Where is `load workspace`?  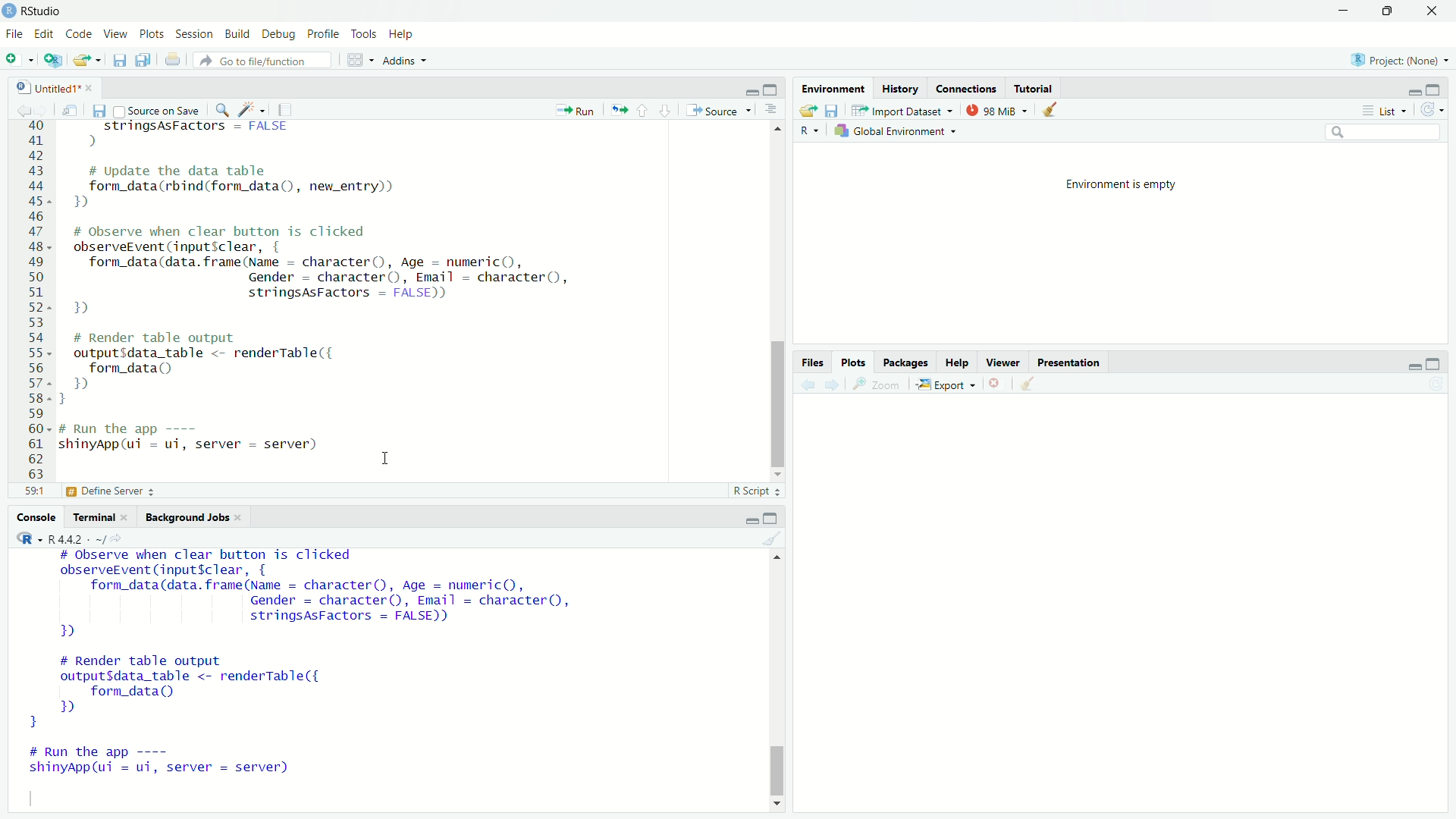
load workspace is located at coordinates (805, 111).